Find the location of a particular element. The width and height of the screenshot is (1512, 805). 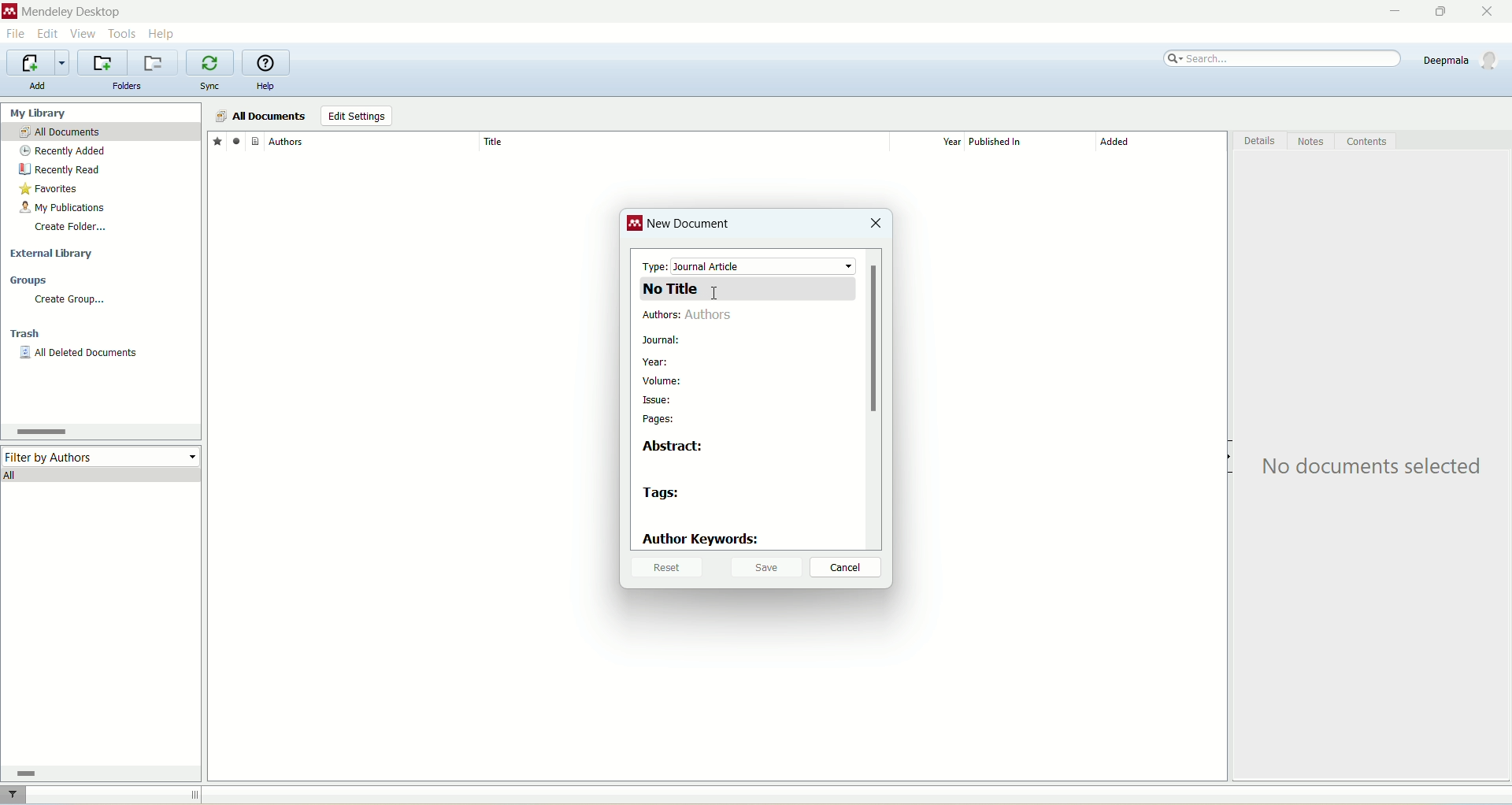

horizontal scroll bar is located at coordinates (98, 773).